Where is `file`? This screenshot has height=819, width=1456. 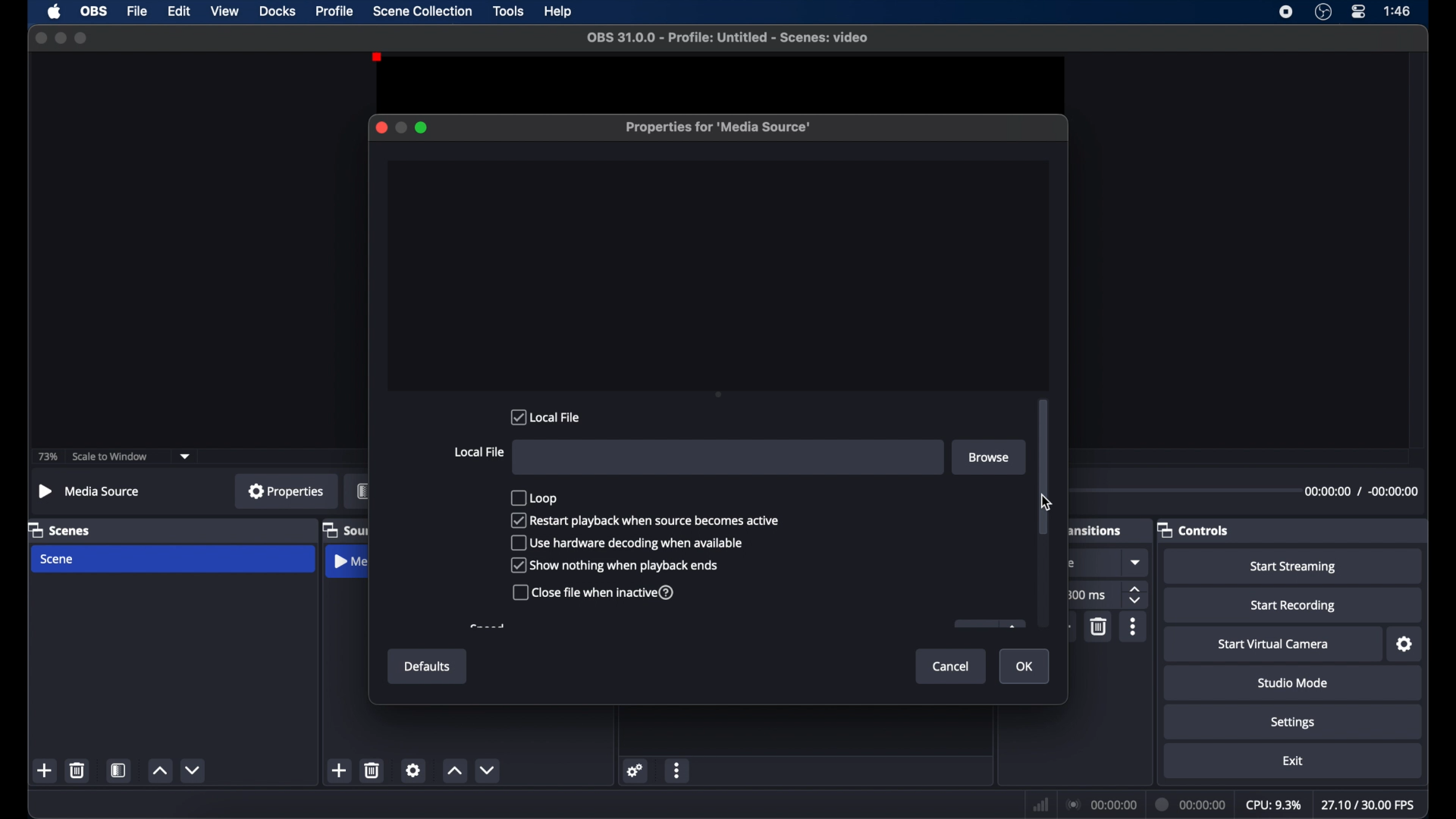
file is located at coordinates (138, 12).